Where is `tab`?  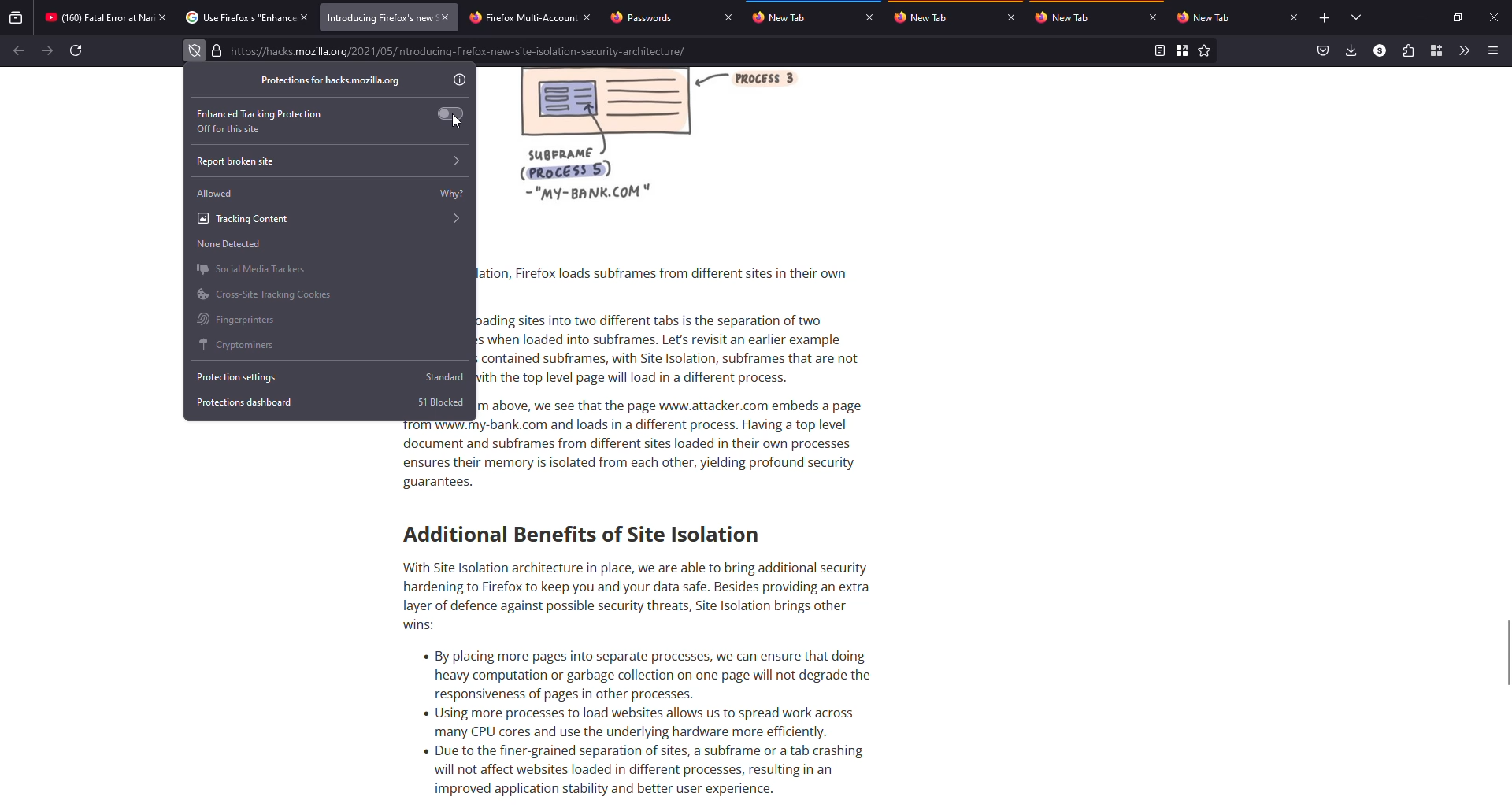 tab is located at coordinates (238, 17).